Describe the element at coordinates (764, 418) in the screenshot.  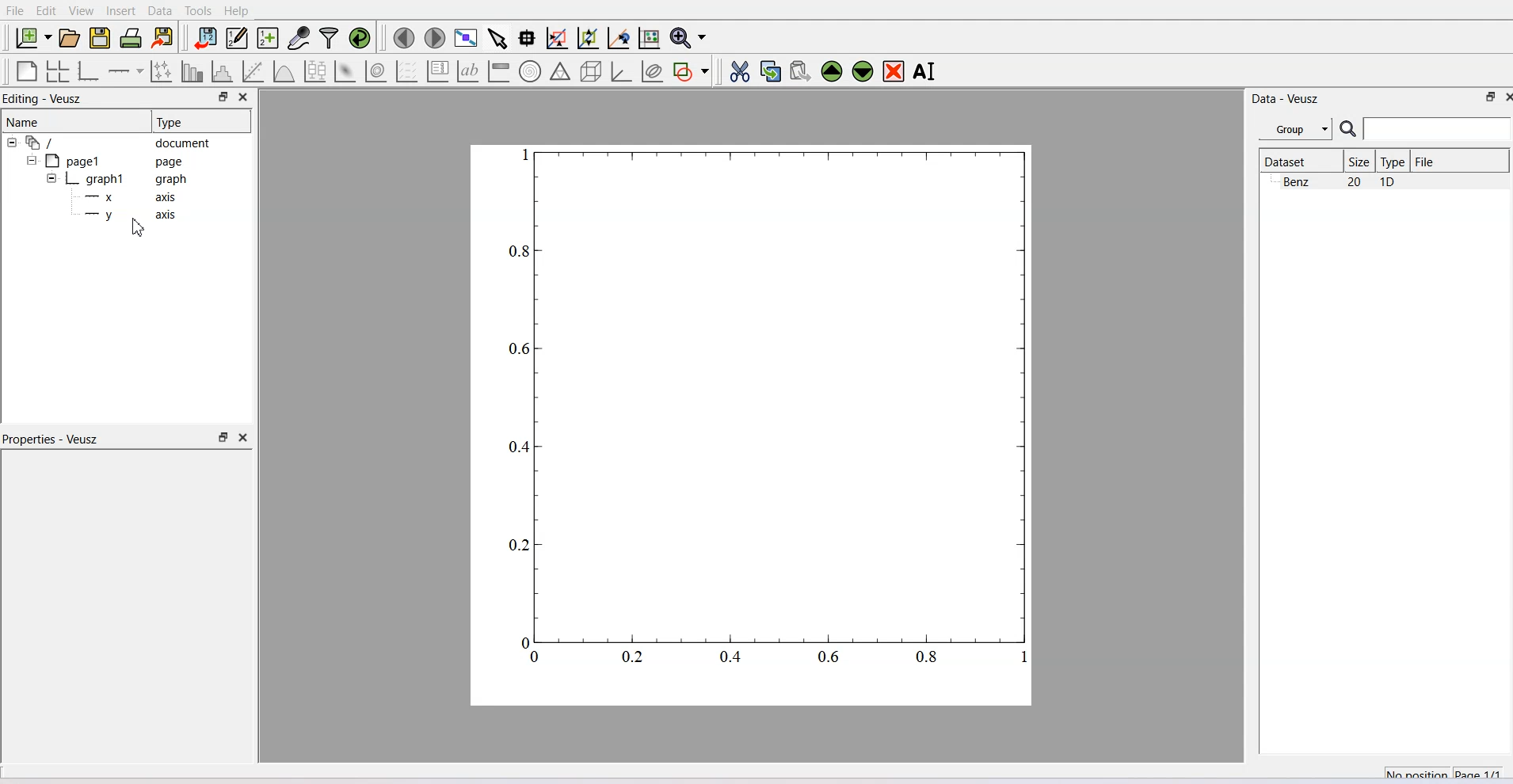
I see `Graph Window` at that location.